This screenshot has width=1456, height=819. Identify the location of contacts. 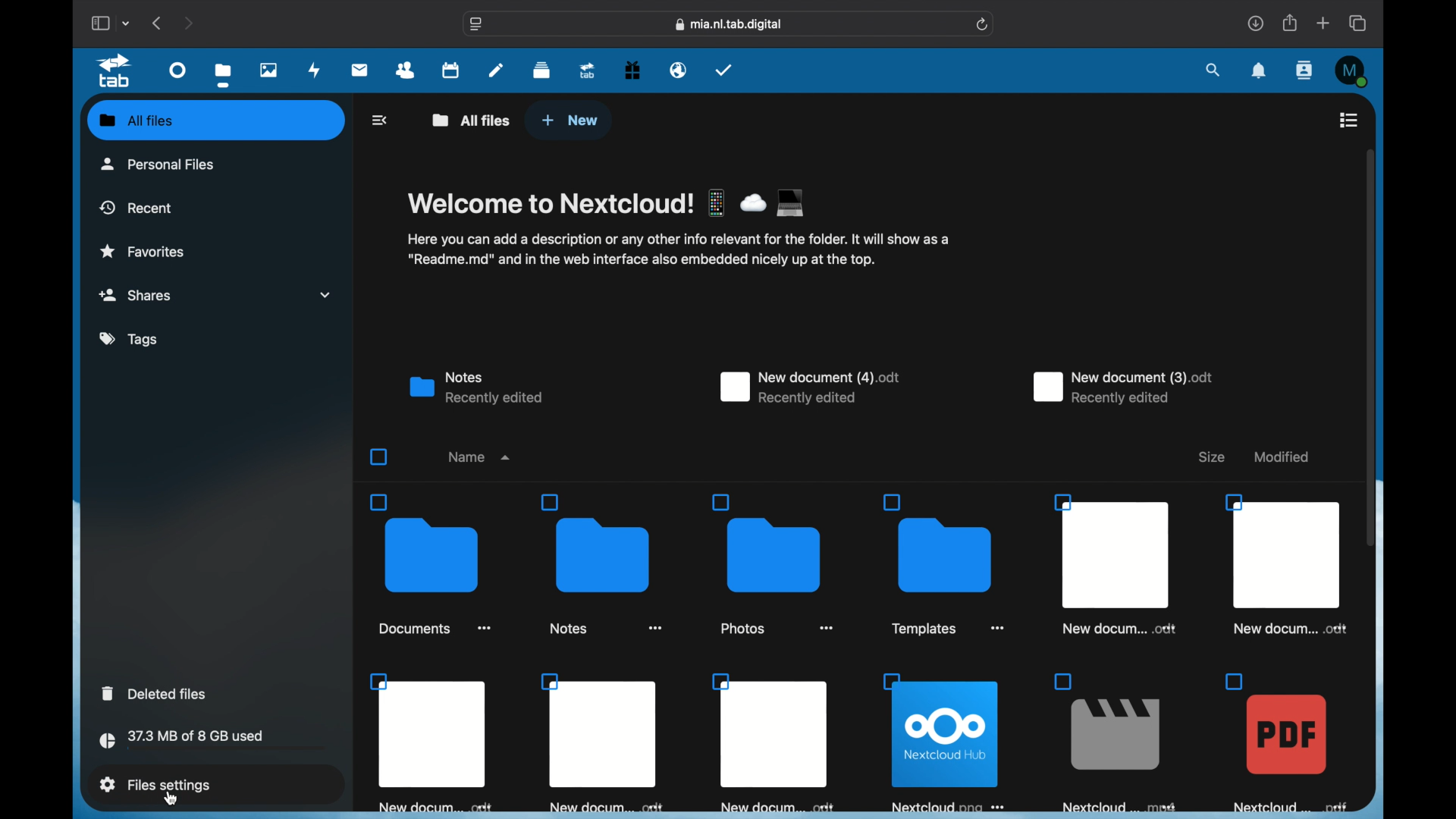
(406, 71).